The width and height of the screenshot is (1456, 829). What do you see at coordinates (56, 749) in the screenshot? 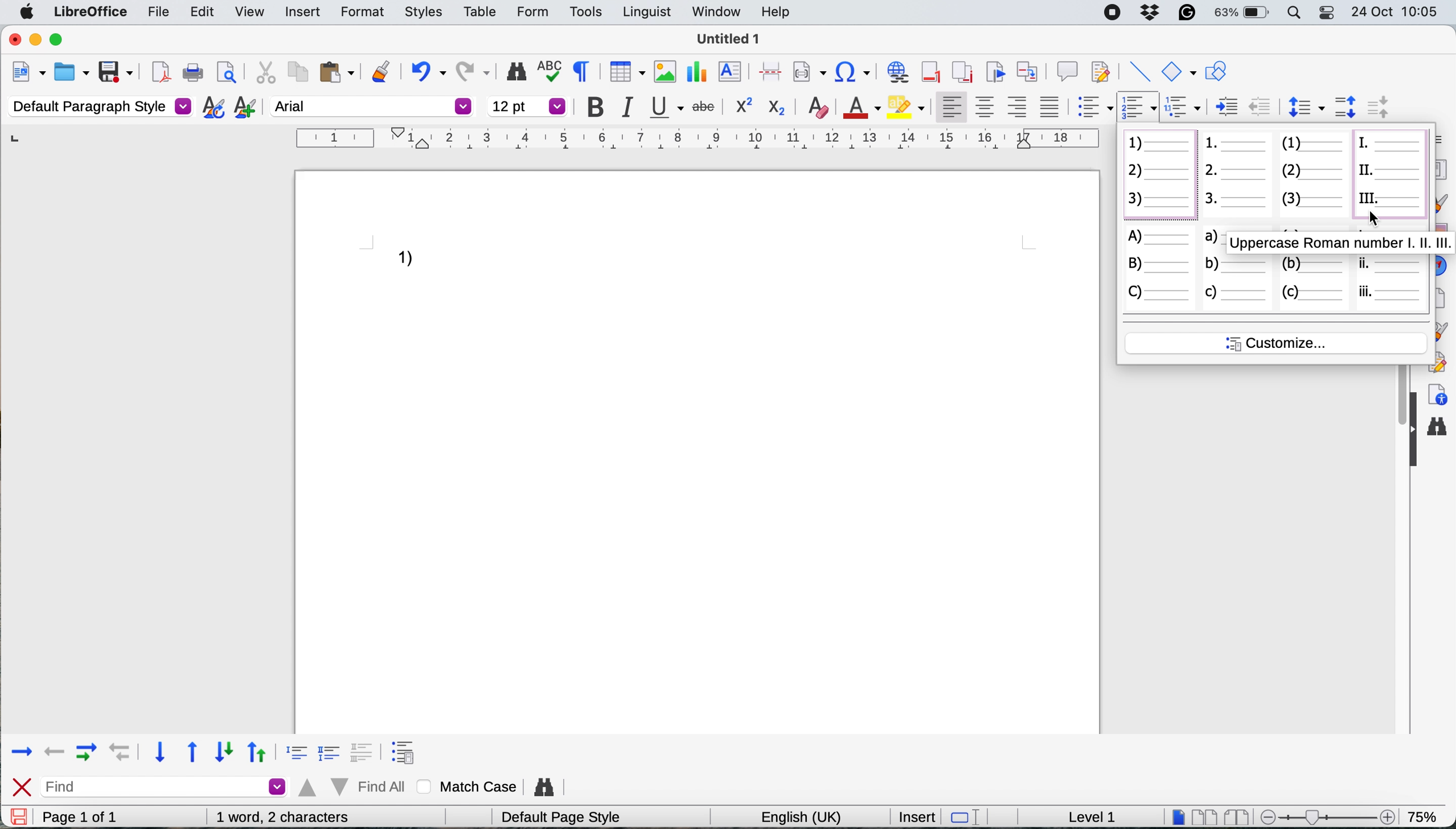
I see `backward` at bounding box center [56, 749].